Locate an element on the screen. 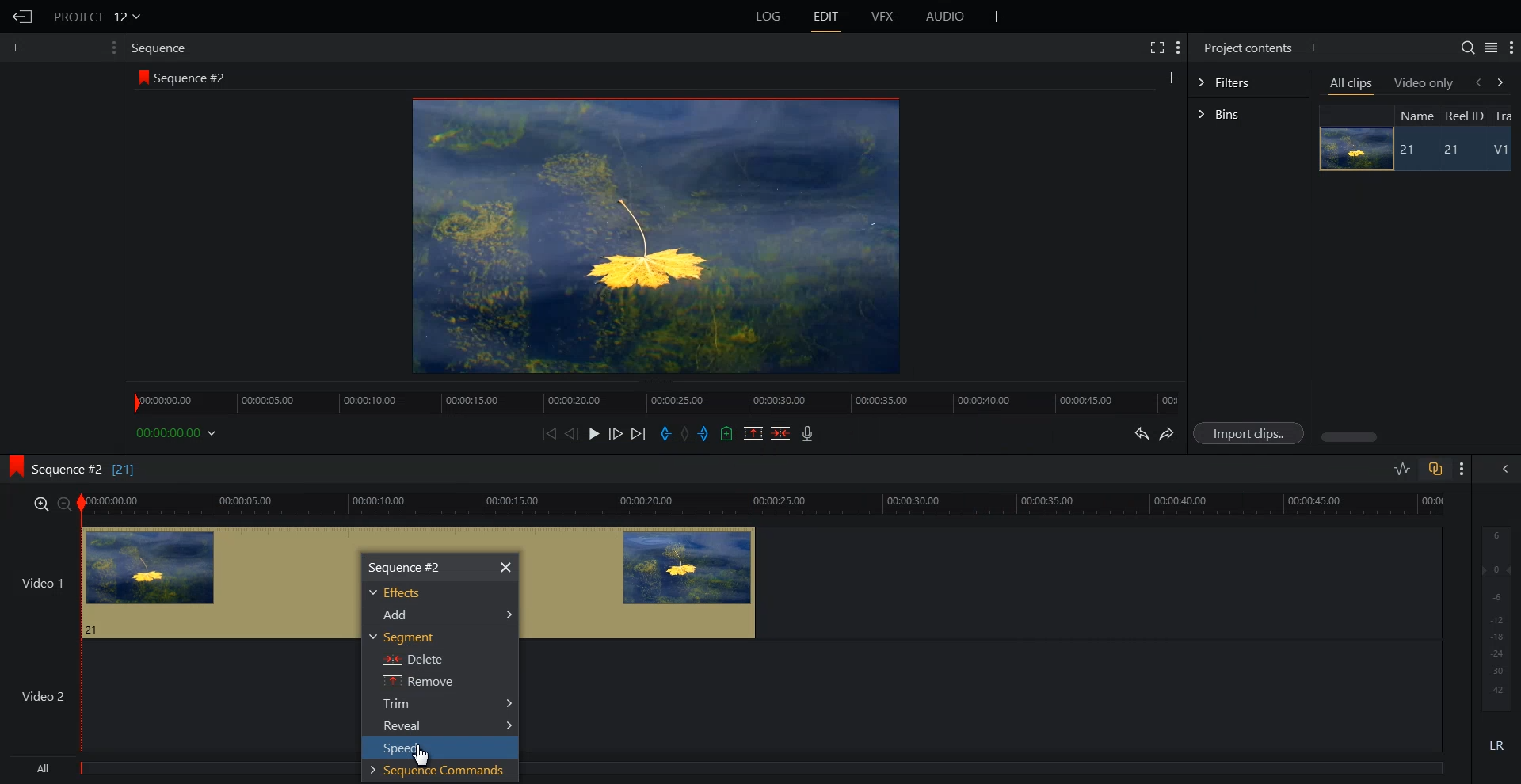 The image size is (1521, 784). Search is located at coordinates (1467, 48).